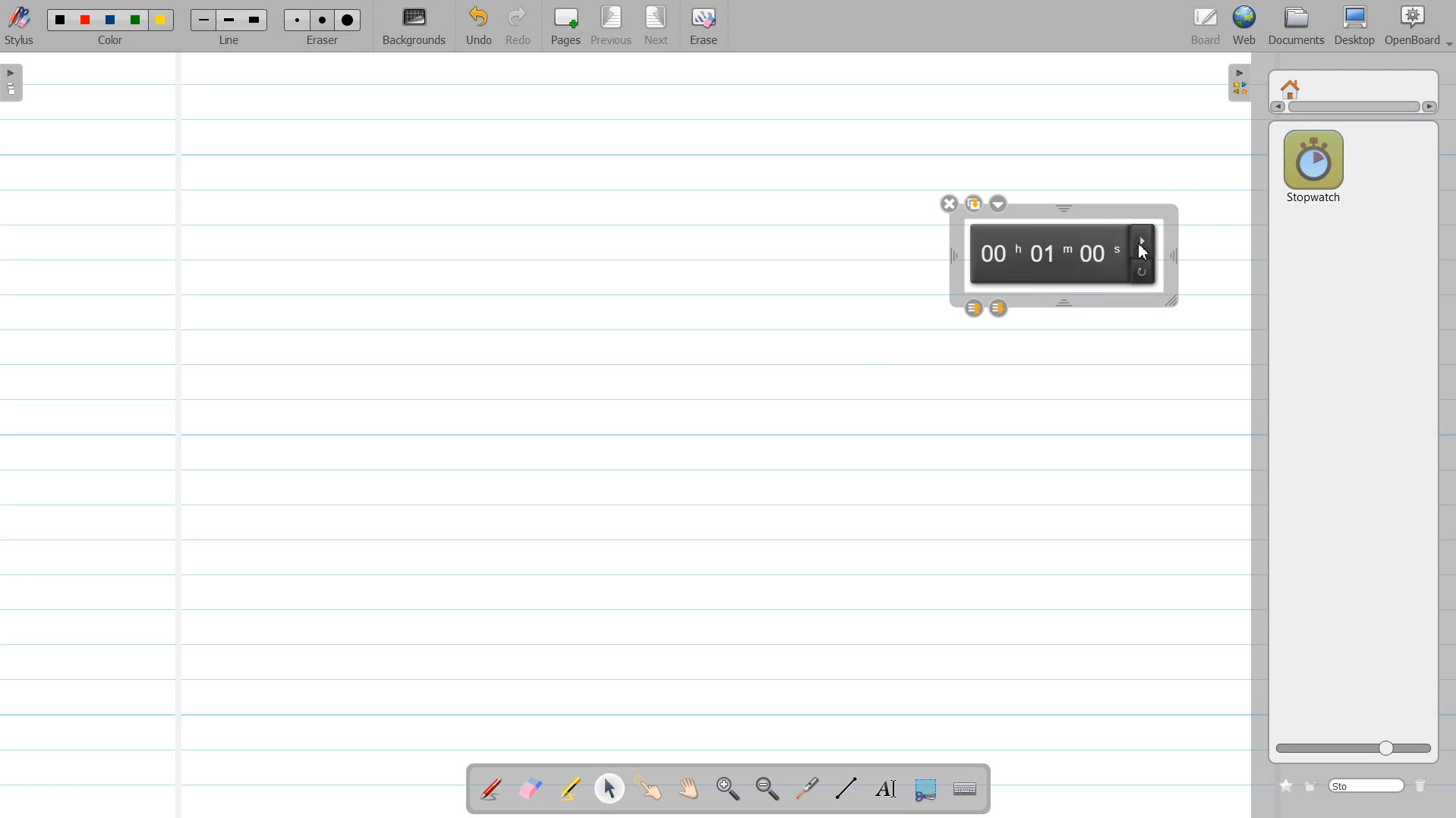 The height and width of the screenshot is (818, 1456). What do you see at coordinates (967, 789) in the screenshot?
I see `Display Virtual Keyboard ` at bounding box center [967, 789].